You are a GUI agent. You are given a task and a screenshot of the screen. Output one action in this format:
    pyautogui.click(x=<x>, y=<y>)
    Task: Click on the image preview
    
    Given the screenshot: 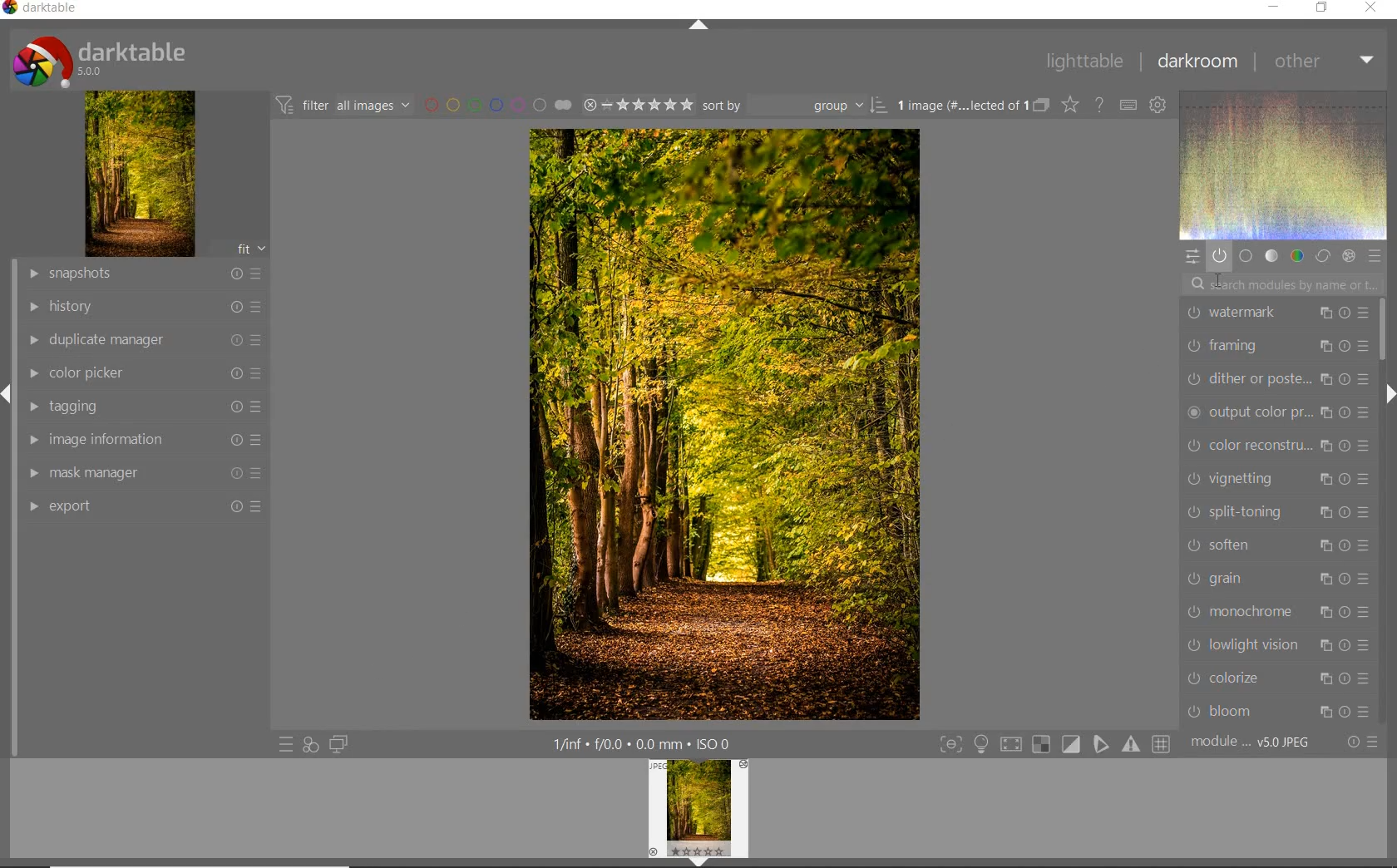 What is the action you would take?
    pyautogui.click(x=698, y=814)
    